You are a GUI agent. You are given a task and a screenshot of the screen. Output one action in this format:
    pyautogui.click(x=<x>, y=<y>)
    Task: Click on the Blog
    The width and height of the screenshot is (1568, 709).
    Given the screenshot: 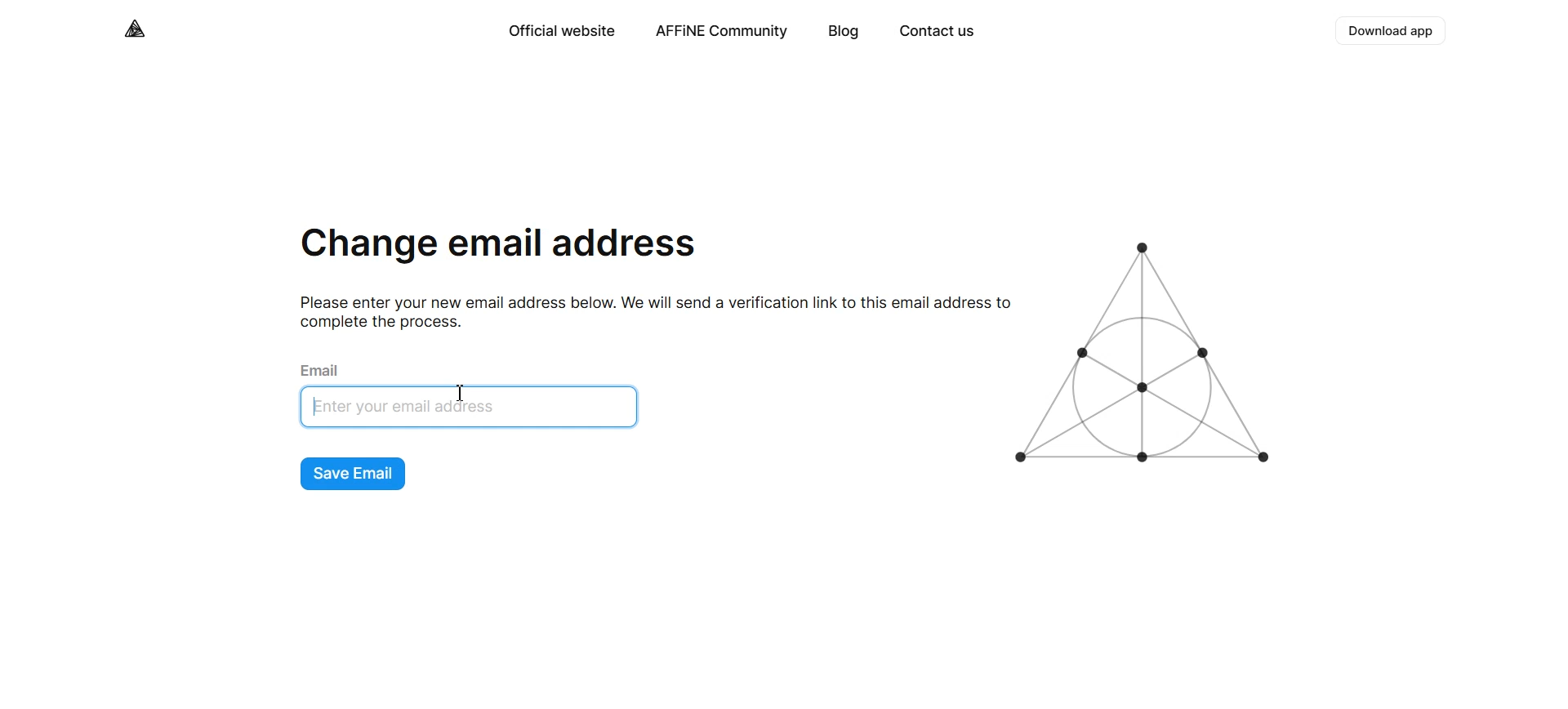 What is the action you would take?
    pyautogui.click(x=844, y=33)
    